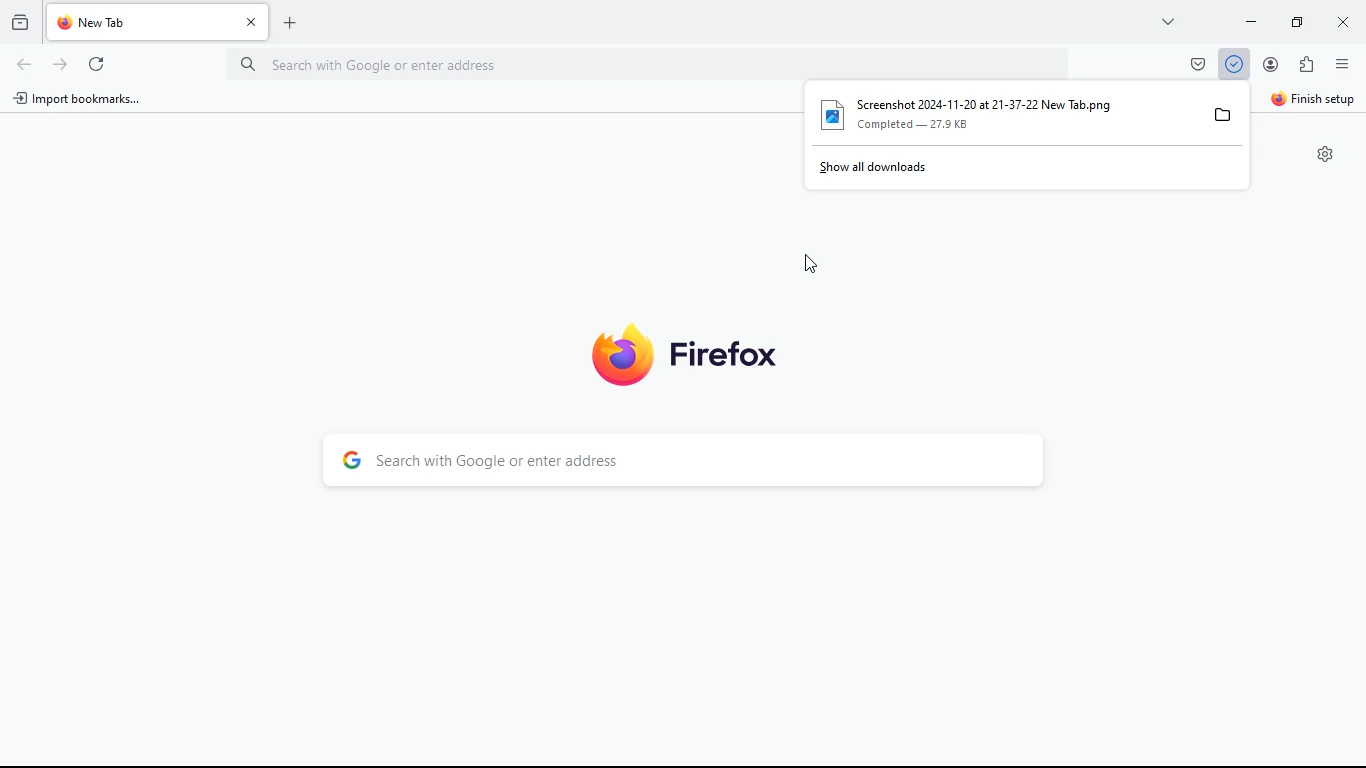 The image size is (1366, 768). What do you see at coordinates (1270, 65) in the screenshot?
I see `profile` at bounding box center [1270, 65].